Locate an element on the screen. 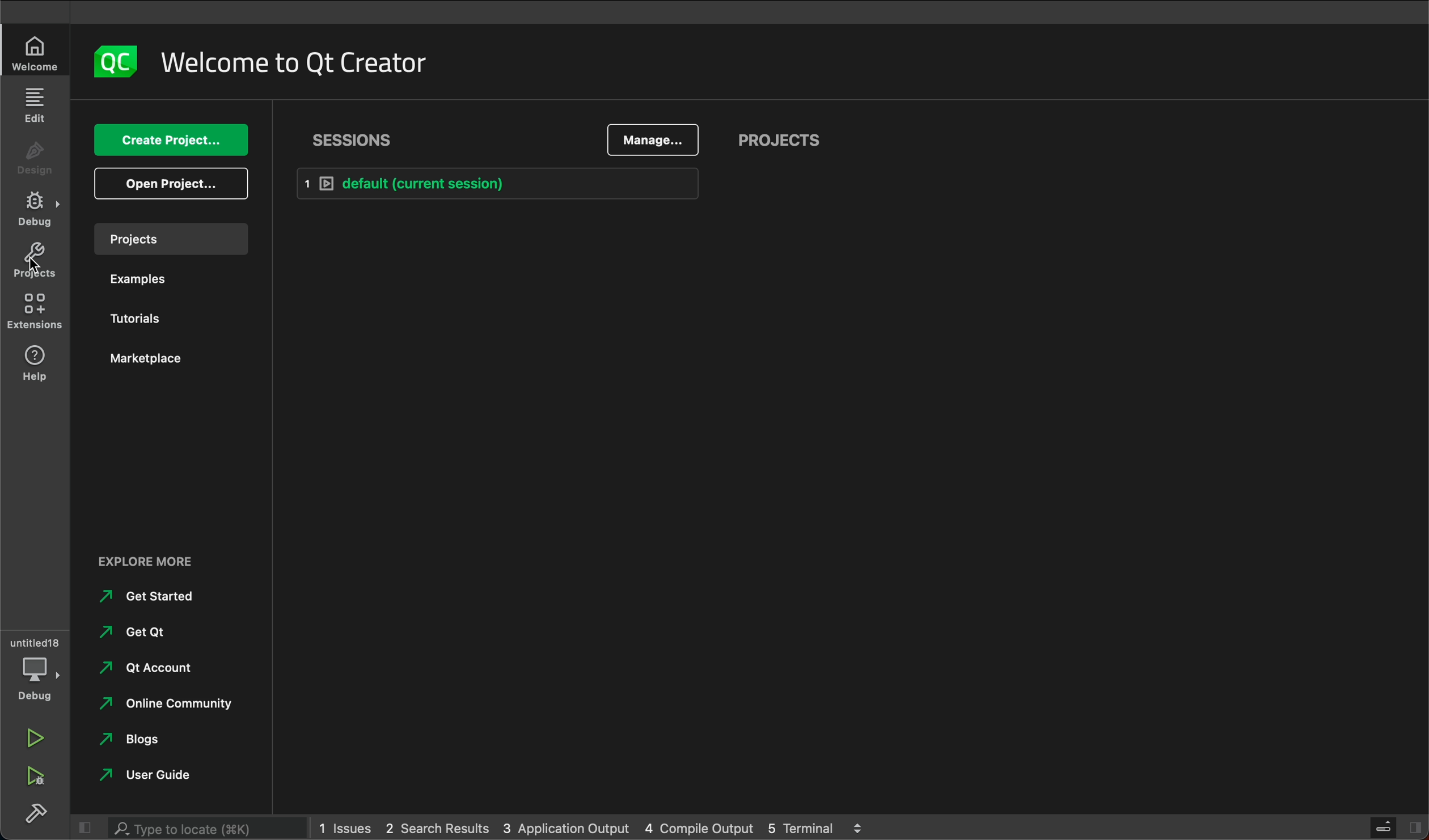 Image resolution: width=1429 pixels, height=840 pixels. 2 Search Results is located at coordinates (436, 826).